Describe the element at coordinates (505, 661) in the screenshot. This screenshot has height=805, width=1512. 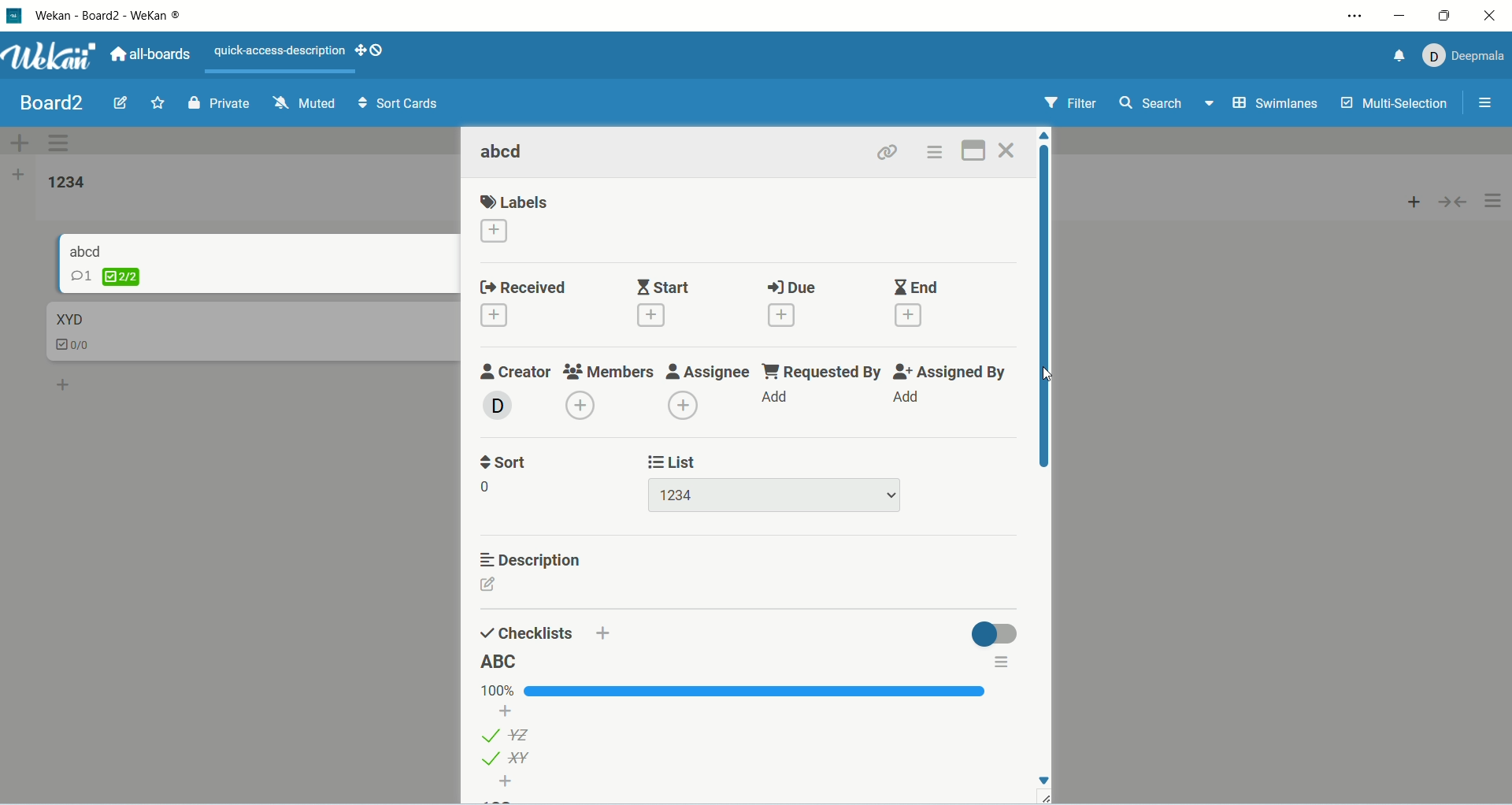
I see `list title` at that location.